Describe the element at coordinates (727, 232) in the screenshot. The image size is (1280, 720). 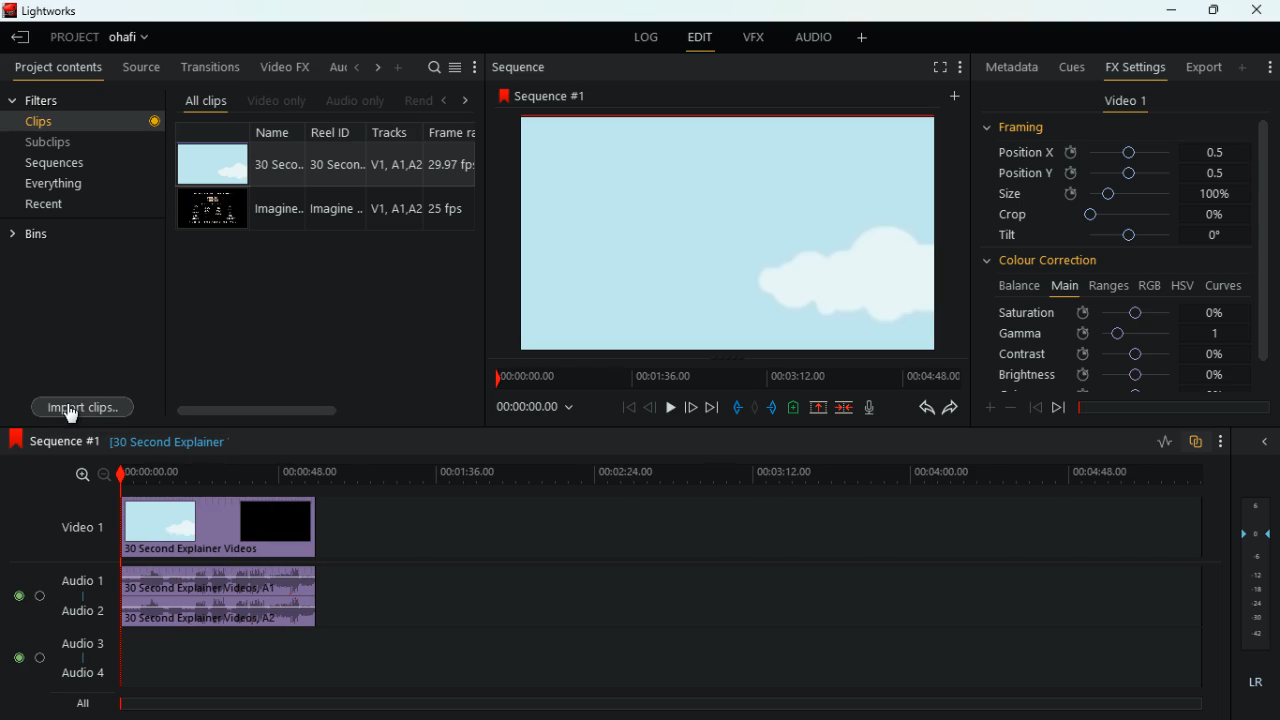
I see `image` at that location.